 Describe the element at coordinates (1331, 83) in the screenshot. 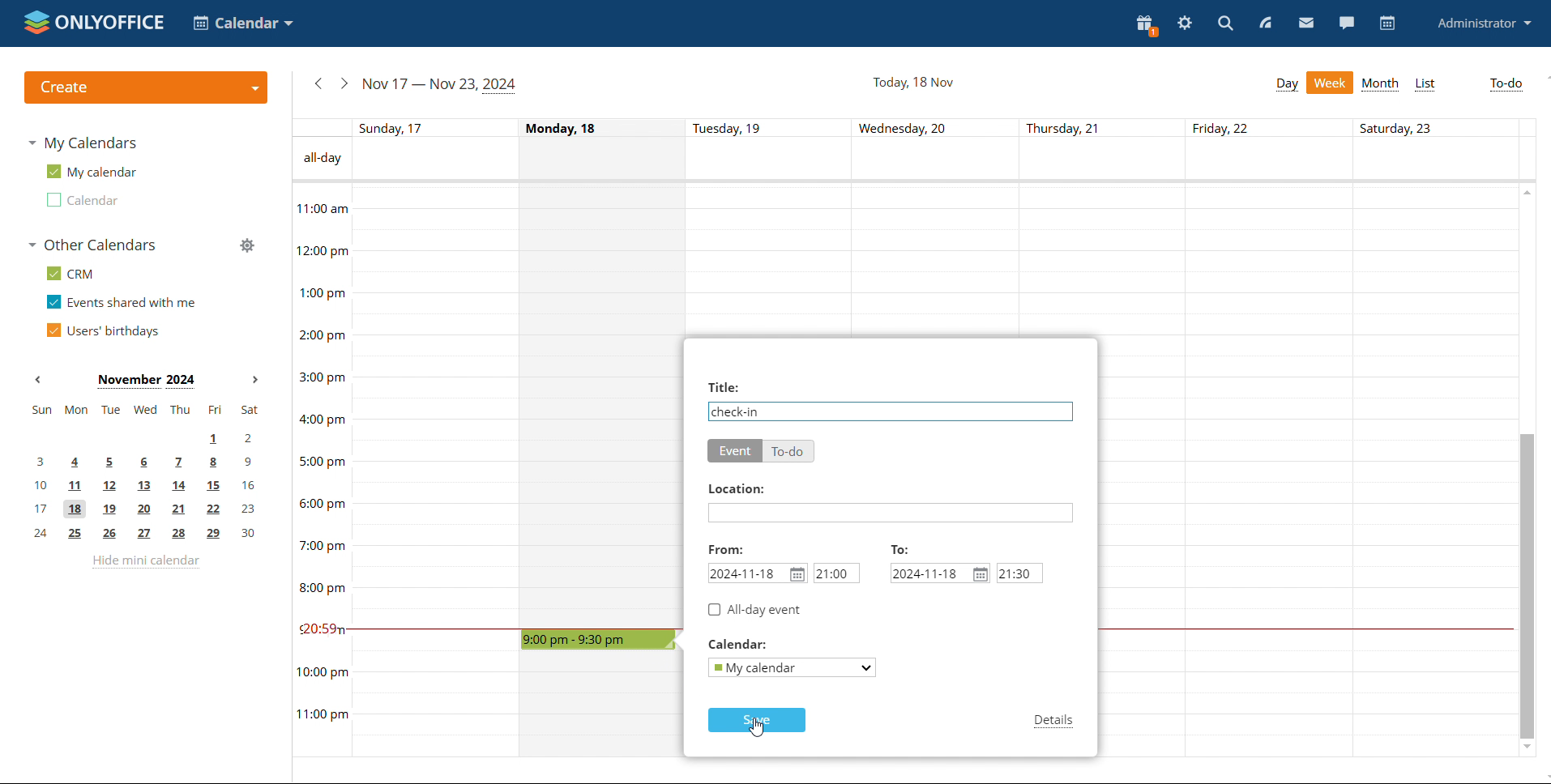

I see `week view` at that location.